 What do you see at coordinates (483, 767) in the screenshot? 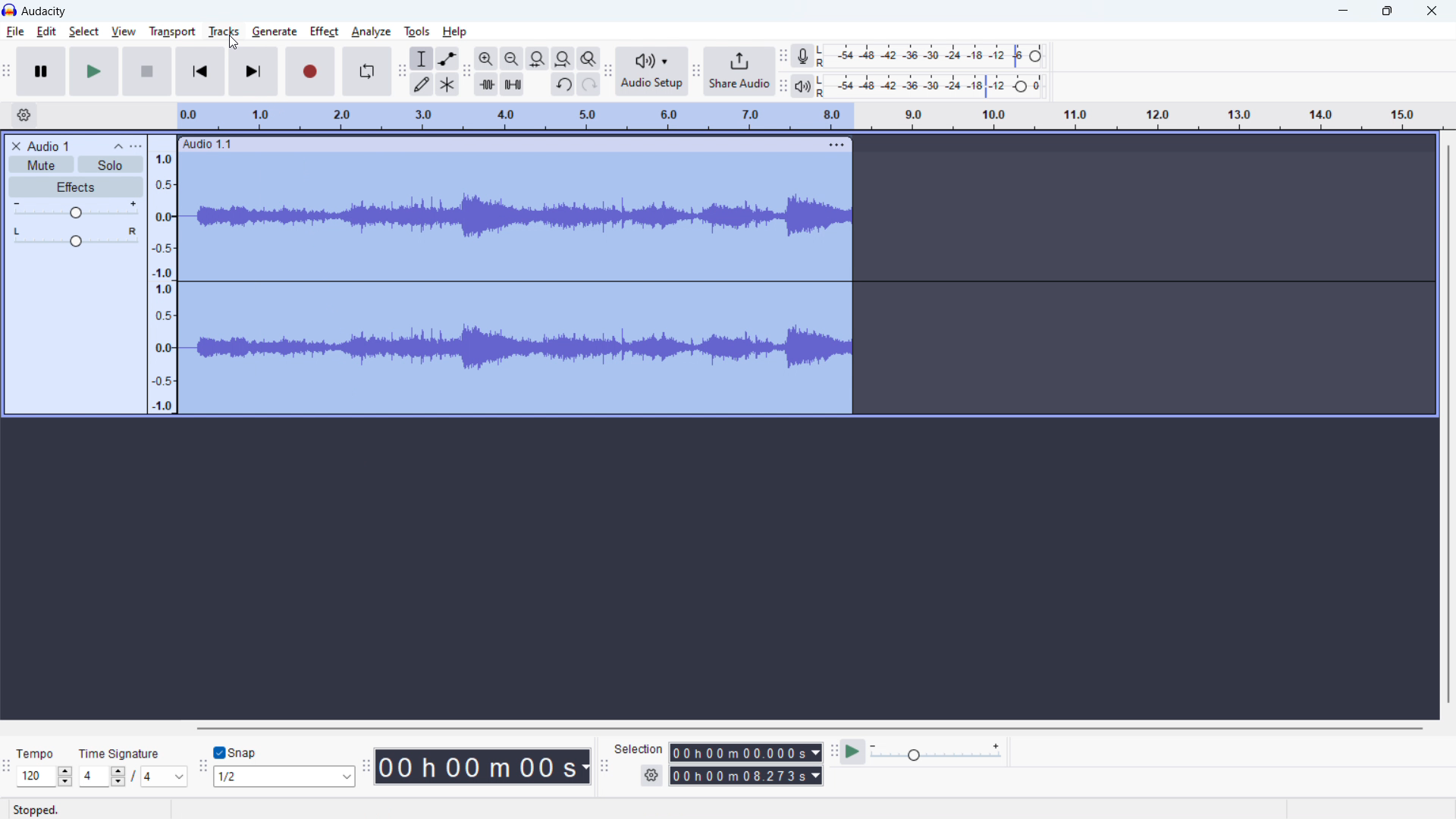
I see `timestamp` at bounding box center [483, 767].